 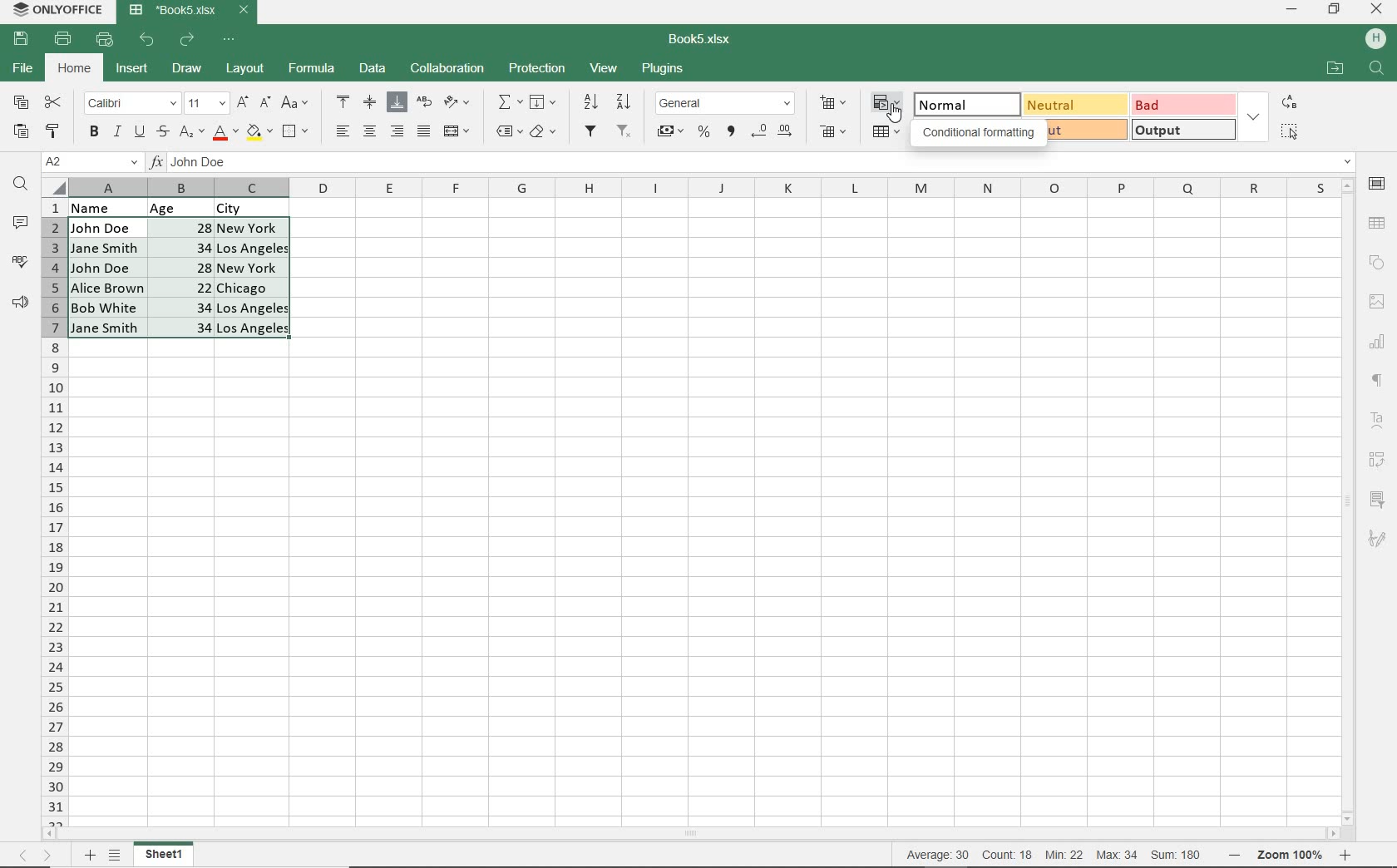 What do you see at coordinates (729, 131) in the screenshot?
I see `COMMA STYLE` at bounding box center [729, 131].